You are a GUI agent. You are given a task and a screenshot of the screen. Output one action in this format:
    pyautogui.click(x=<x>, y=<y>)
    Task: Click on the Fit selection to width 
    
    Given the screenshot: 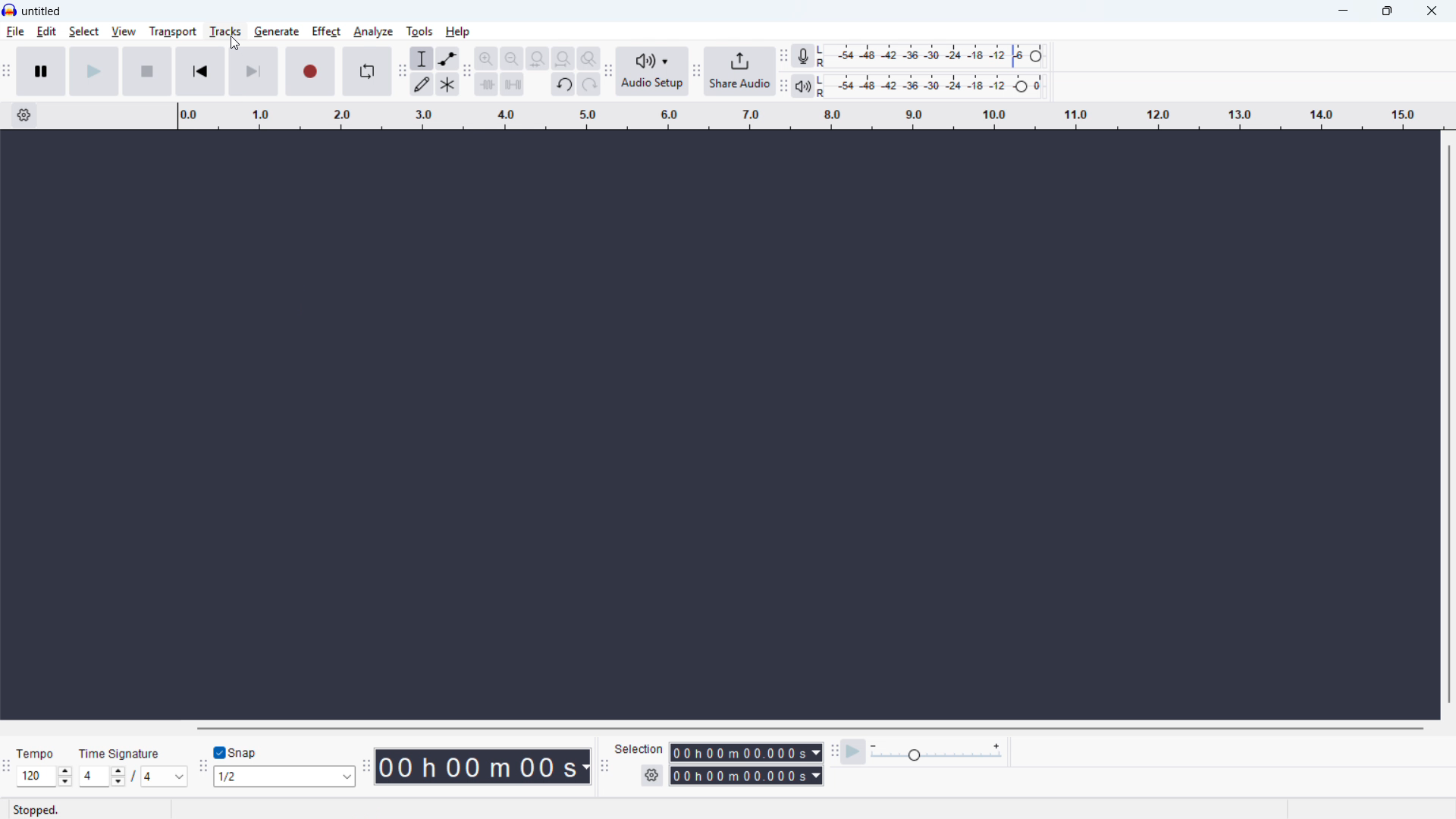 What is the action you would take?
    pyautogui.click(x=538, y=58)
    